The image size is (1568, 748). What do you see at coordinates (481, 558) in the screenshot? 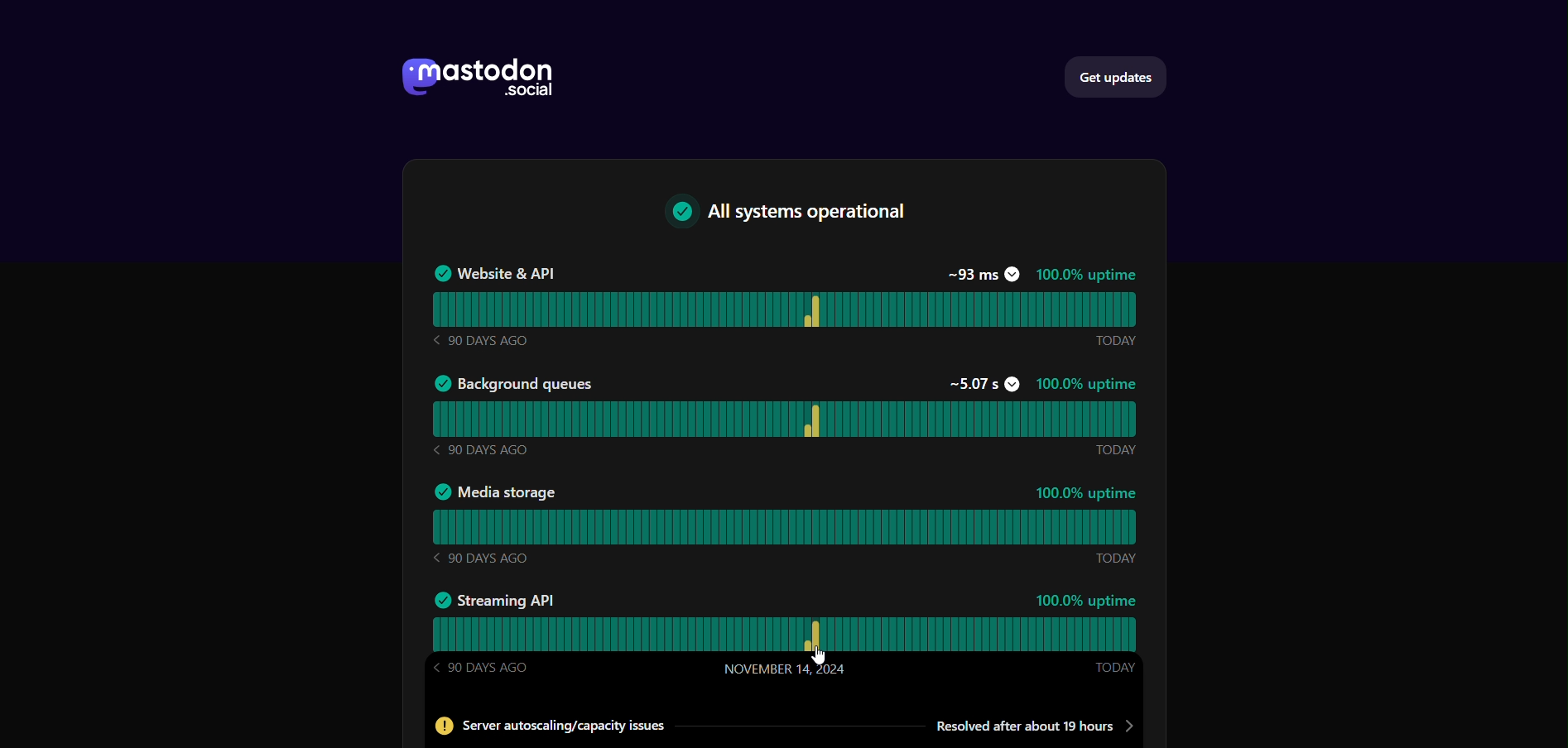
I see `90 days ago` at bounding box center [481, 558].